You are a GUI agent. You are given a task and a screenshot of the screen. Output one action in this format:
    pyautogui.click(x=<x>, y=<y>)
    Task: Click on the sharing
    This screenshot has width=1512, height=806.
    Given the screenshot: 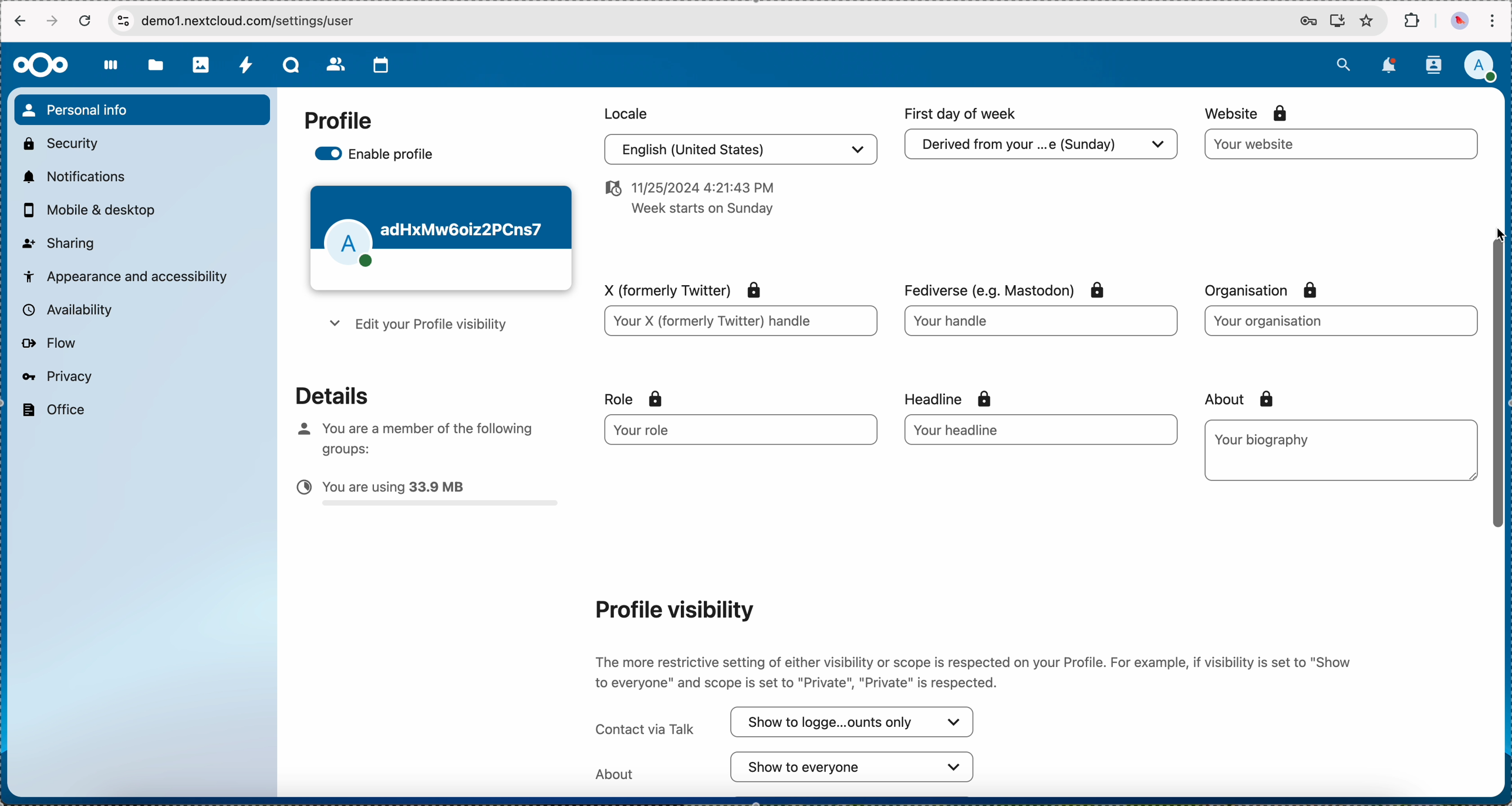 What is the action you would take?
    pyautogui.click(x=59, y=242)
    